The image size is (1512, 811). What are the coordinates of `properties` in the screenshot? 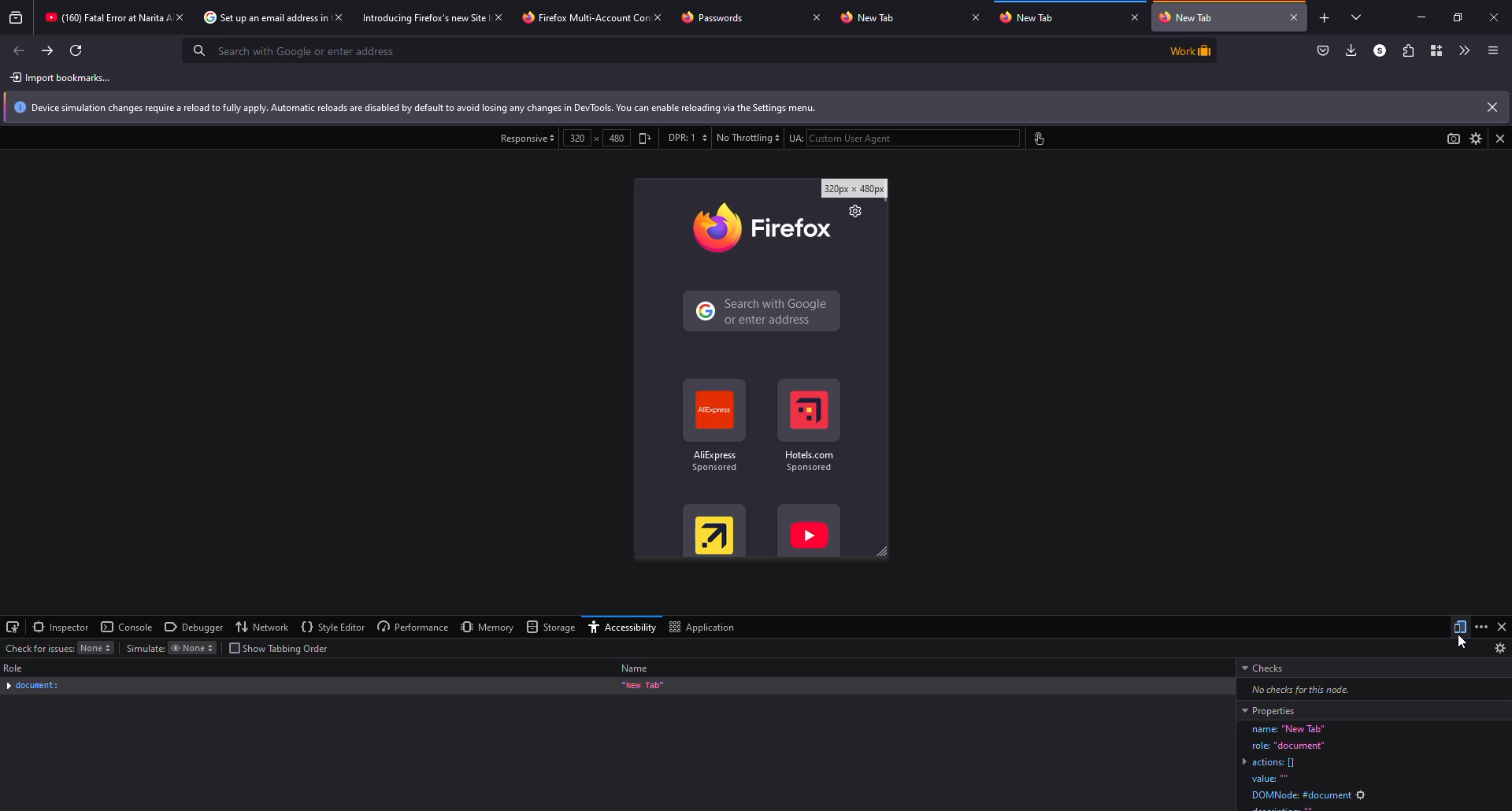 It's located at (1269, 710).